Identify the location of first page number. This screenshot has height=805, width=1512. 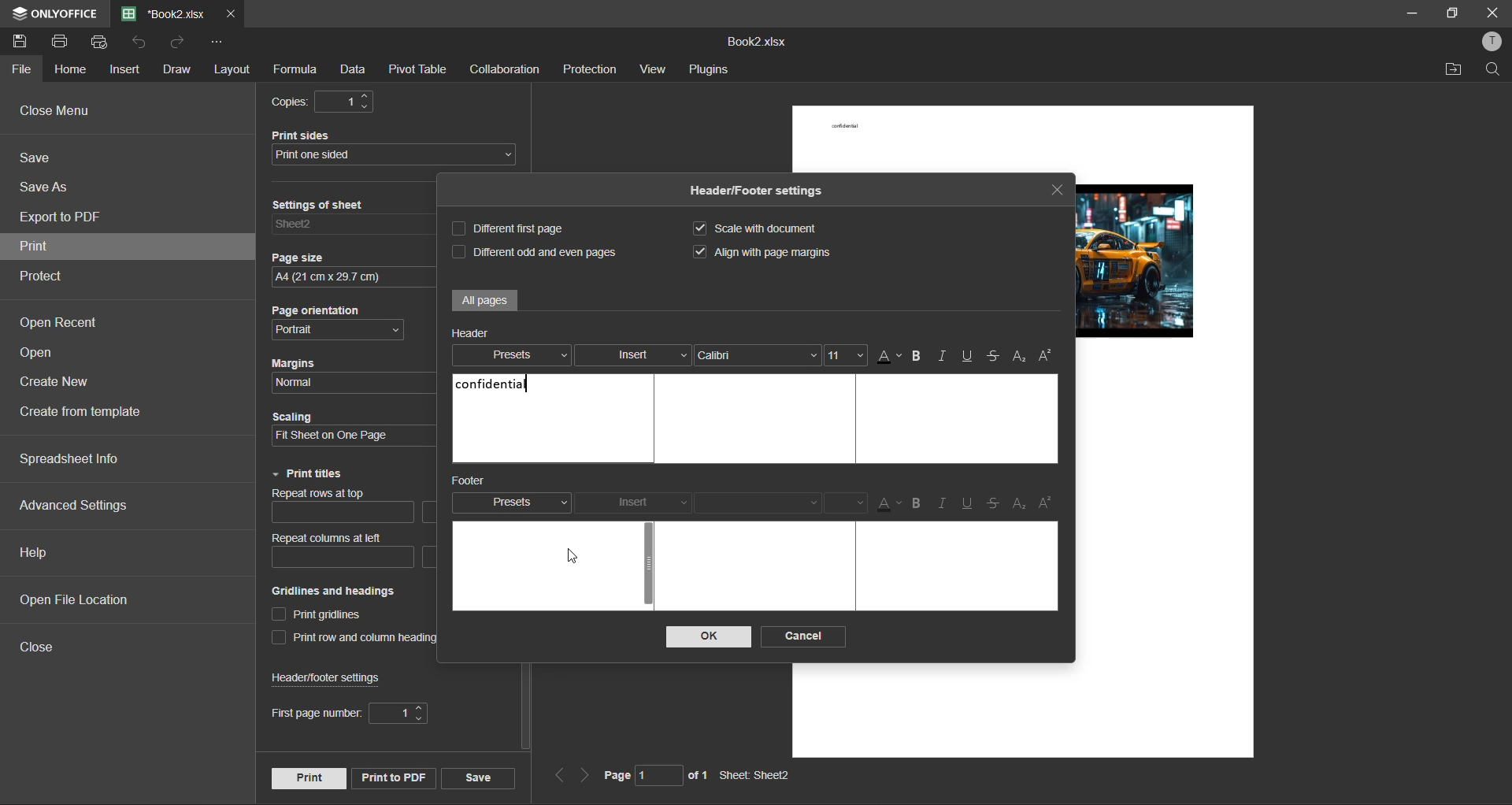
(351, 711).